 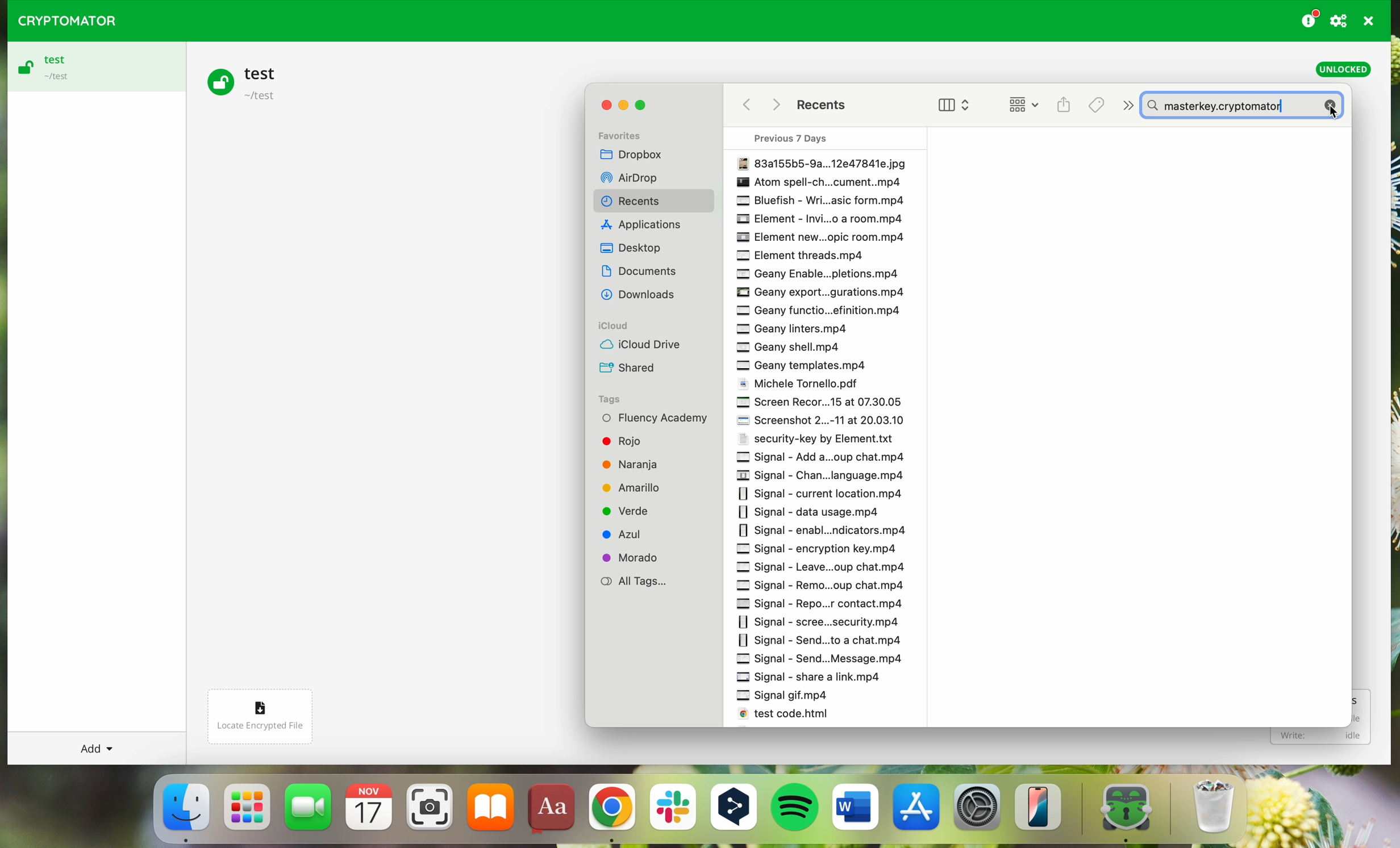 I want to click on Element new, so click(x=821, y=237).